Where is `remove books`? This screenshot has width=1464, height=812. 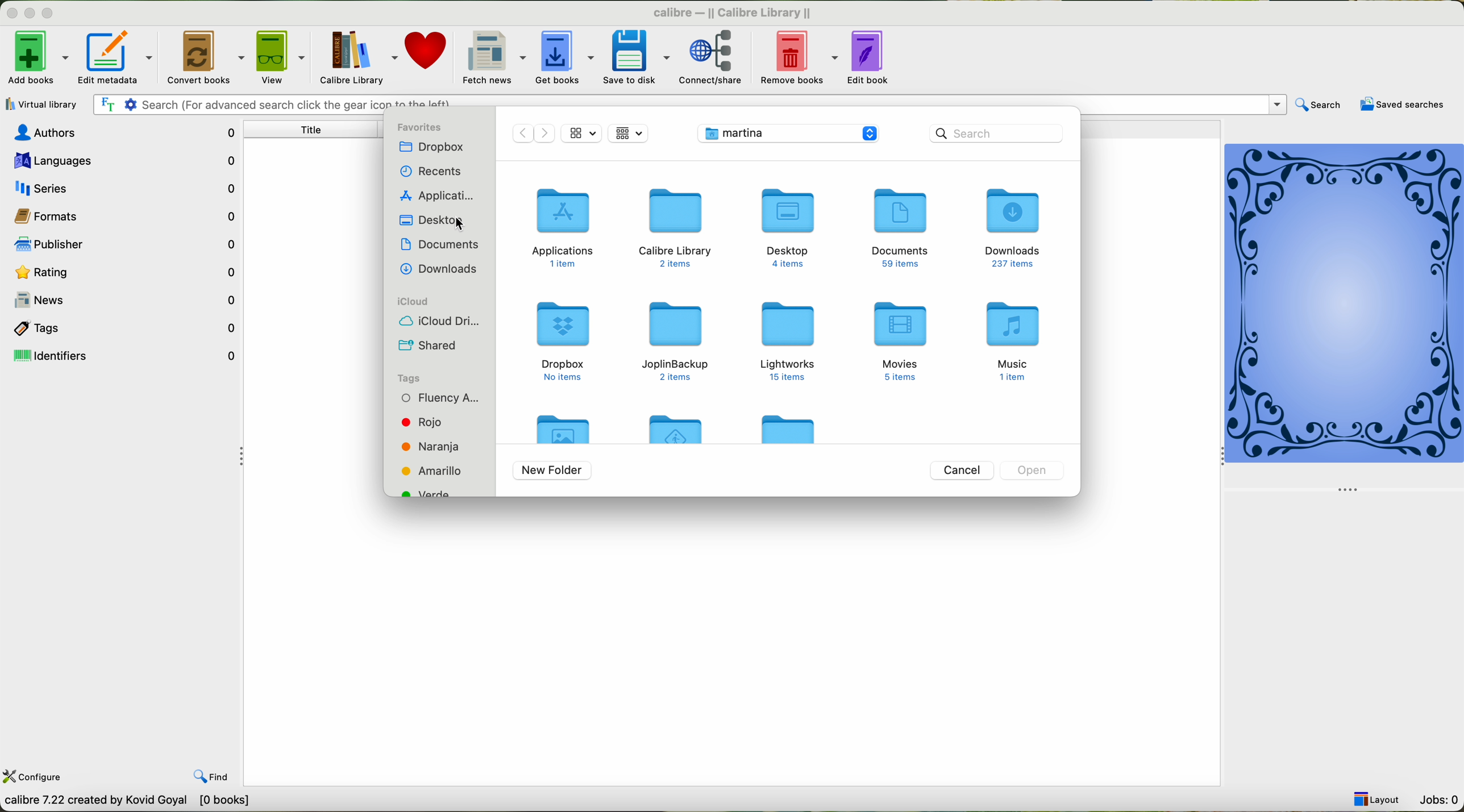 remove books is located at coordinates (800, 58).